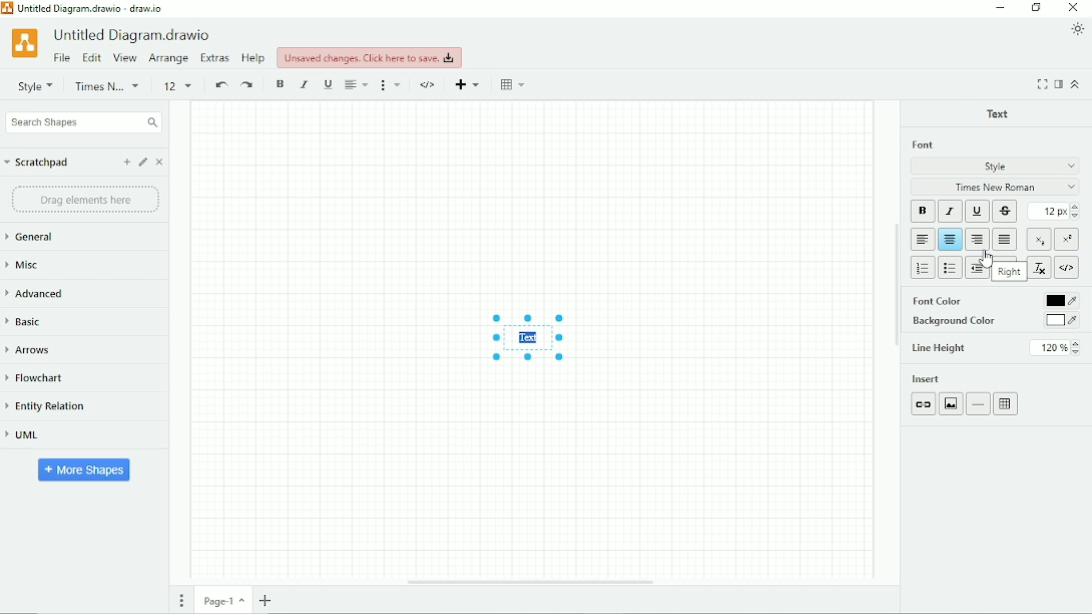 This screenshot has height=614, width=1092. I want to click on Font Color, so click(967, 298).